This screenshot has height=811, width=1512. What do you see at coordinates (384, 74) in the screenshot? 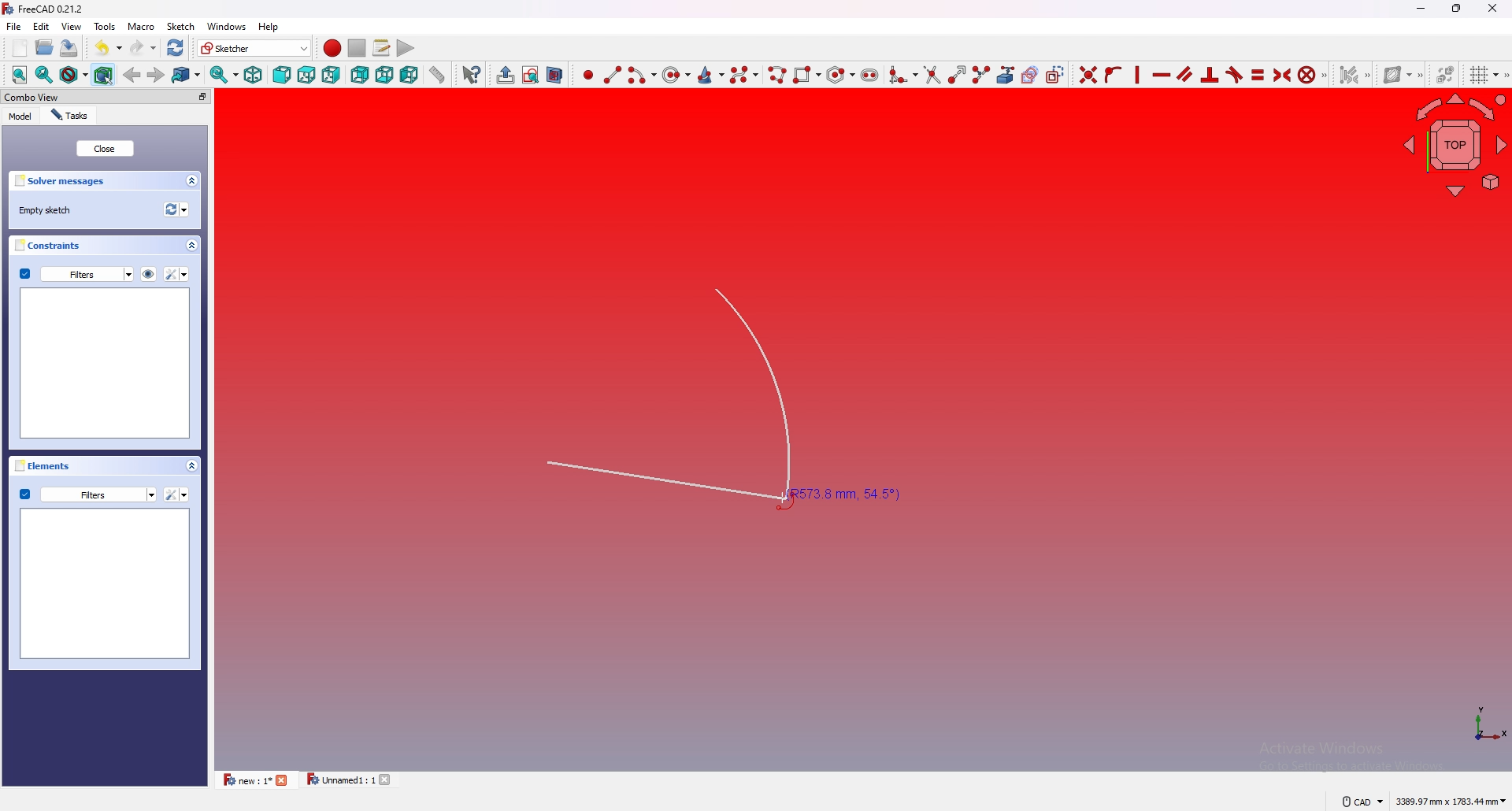
I see `bottom` at bounding box center [384, 74].